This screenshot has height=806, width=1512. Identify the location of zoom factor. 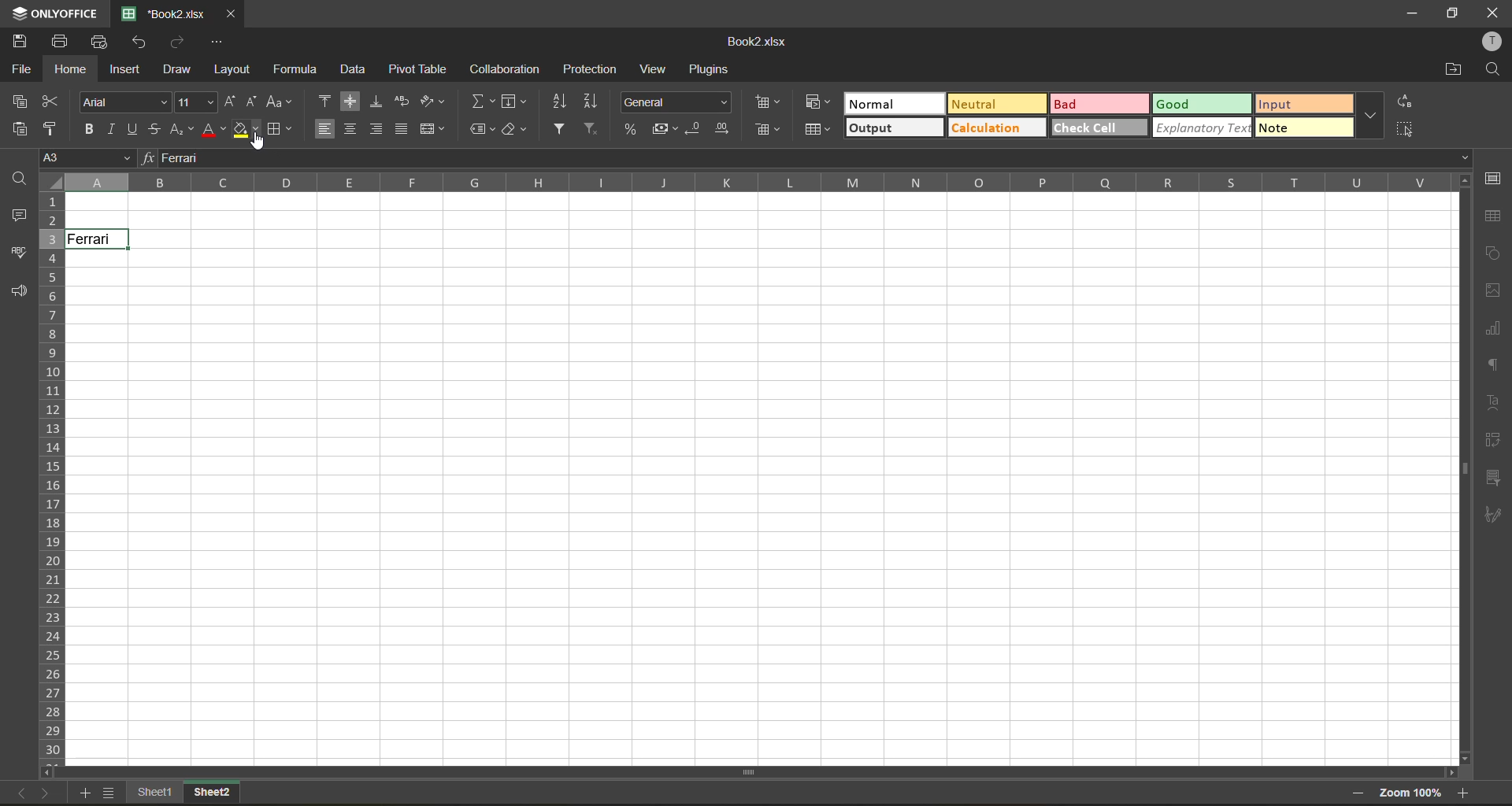
(1412, 793).